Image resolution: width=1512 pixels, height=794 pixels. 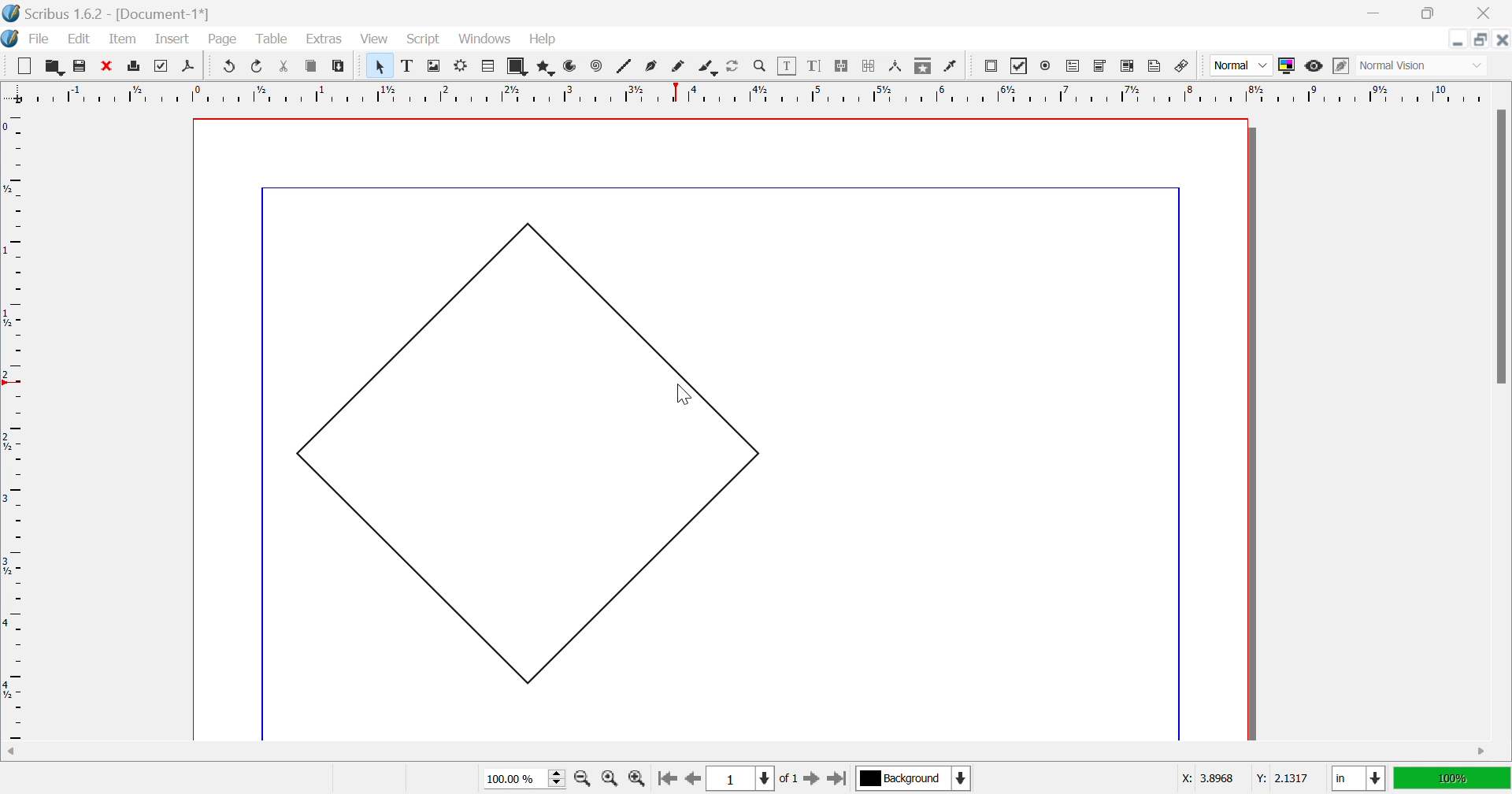 I want to click on Link text frames, so click(x=840, y=66).